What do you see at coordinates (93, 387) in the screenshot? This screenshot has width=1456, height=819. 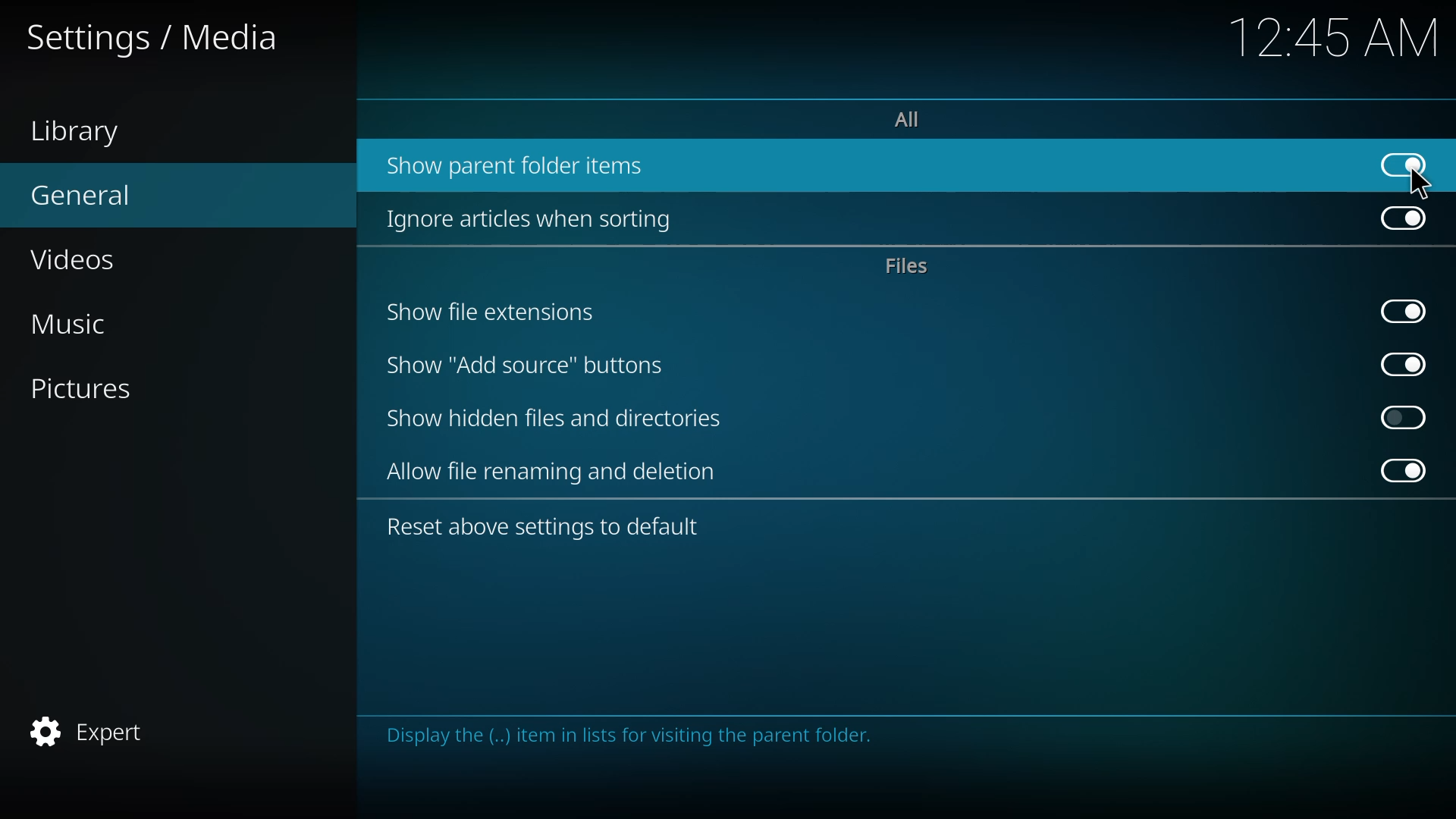 I see `pictures` at bounding box center [93, 387].